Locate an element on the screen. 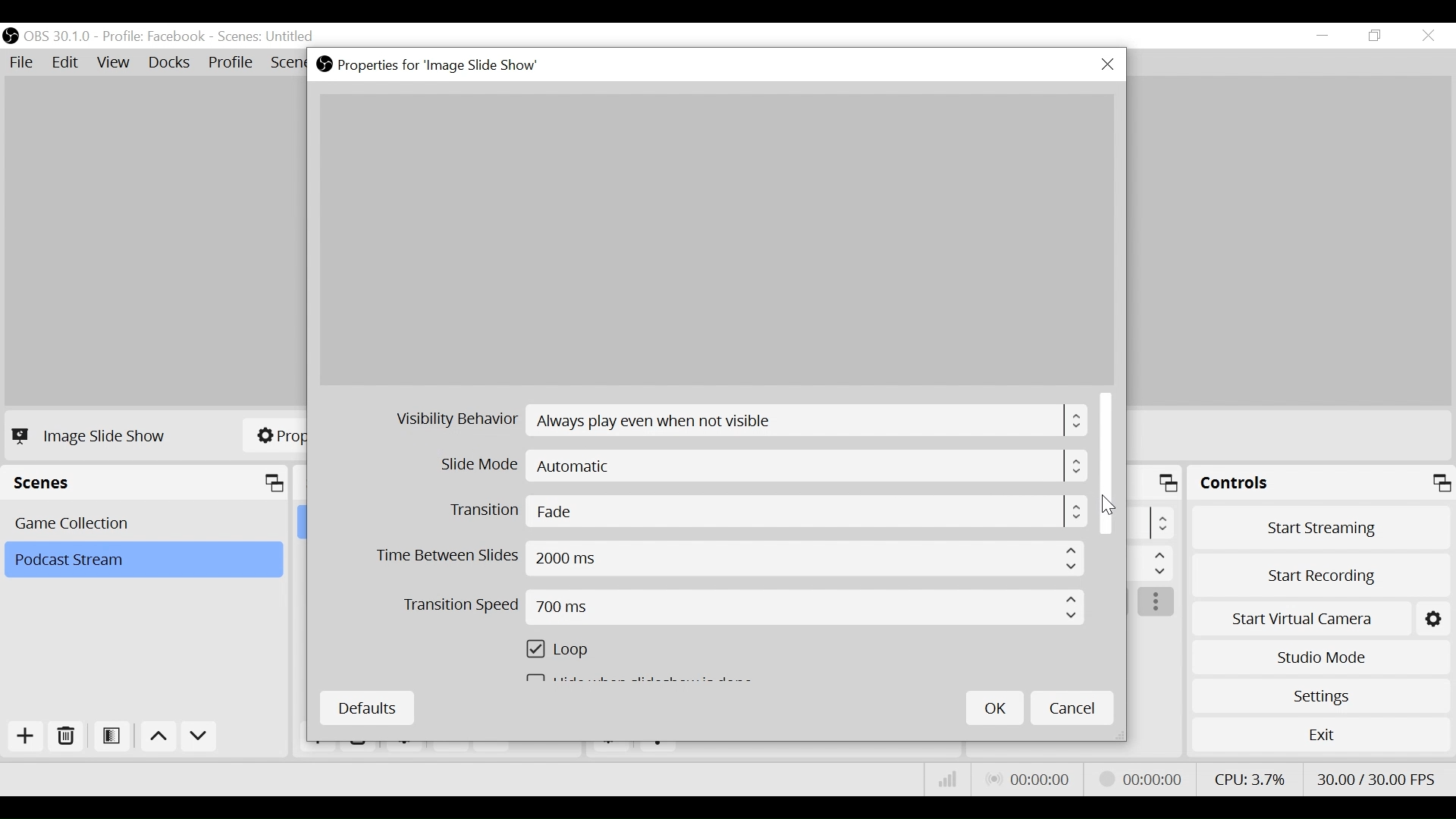  Docks is located at coordinates (171, 64).